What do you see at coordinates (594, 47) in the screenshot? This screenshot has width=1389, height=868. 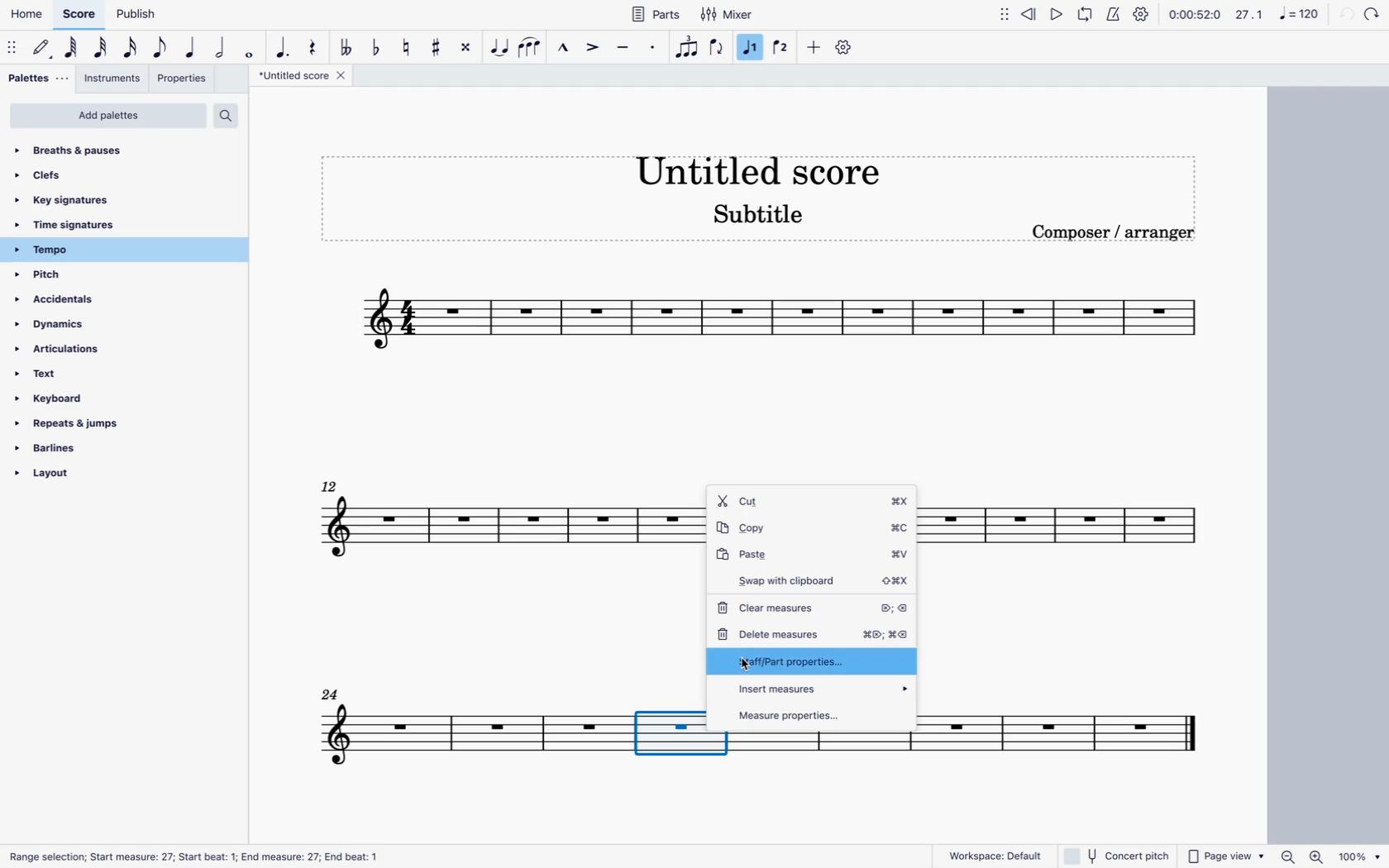 I see `accent` at bounding box center [594, 47].